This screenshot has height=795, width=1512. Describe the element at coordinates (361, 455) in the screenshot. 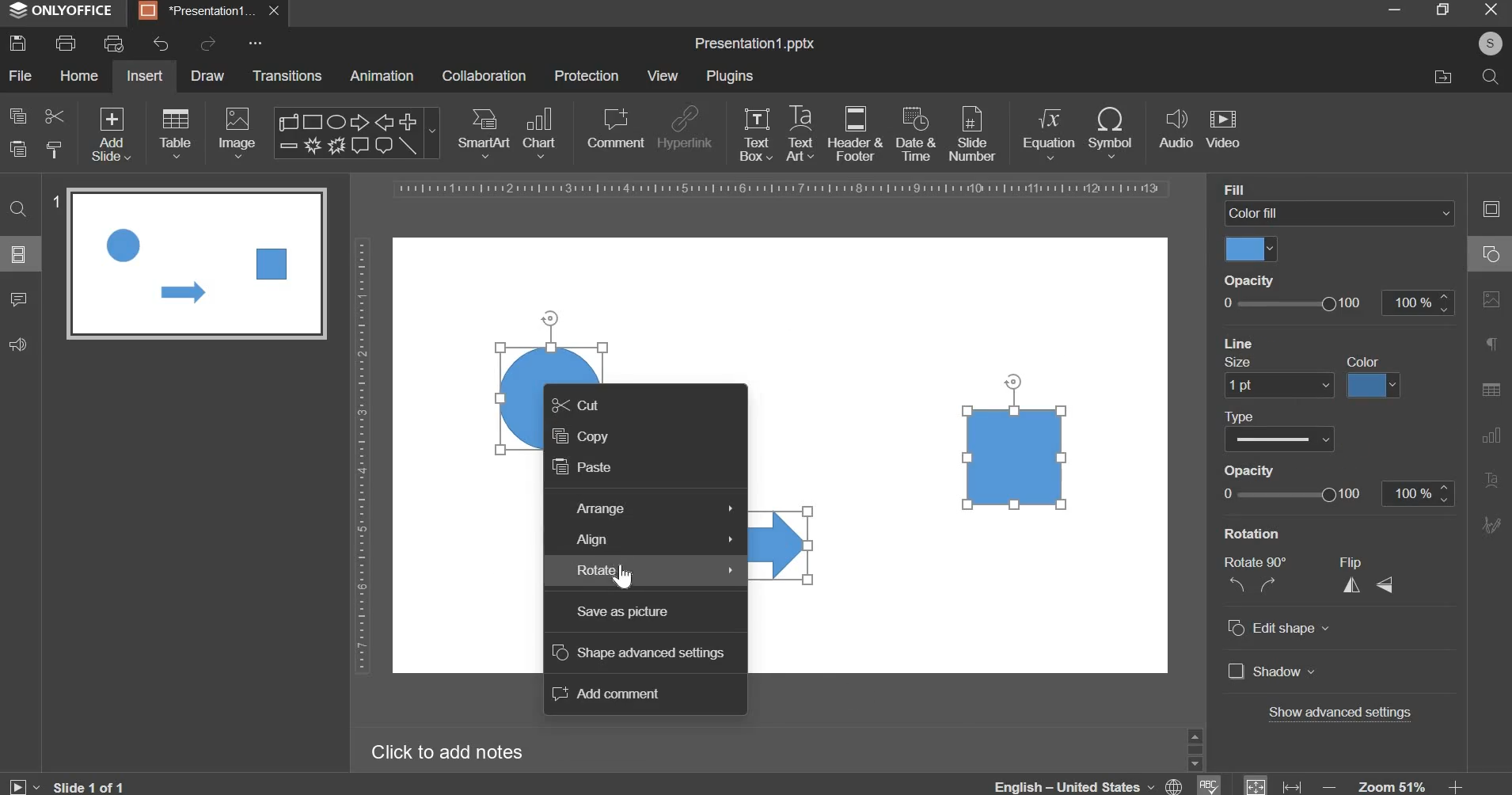

I see `vertical scale` at that location.